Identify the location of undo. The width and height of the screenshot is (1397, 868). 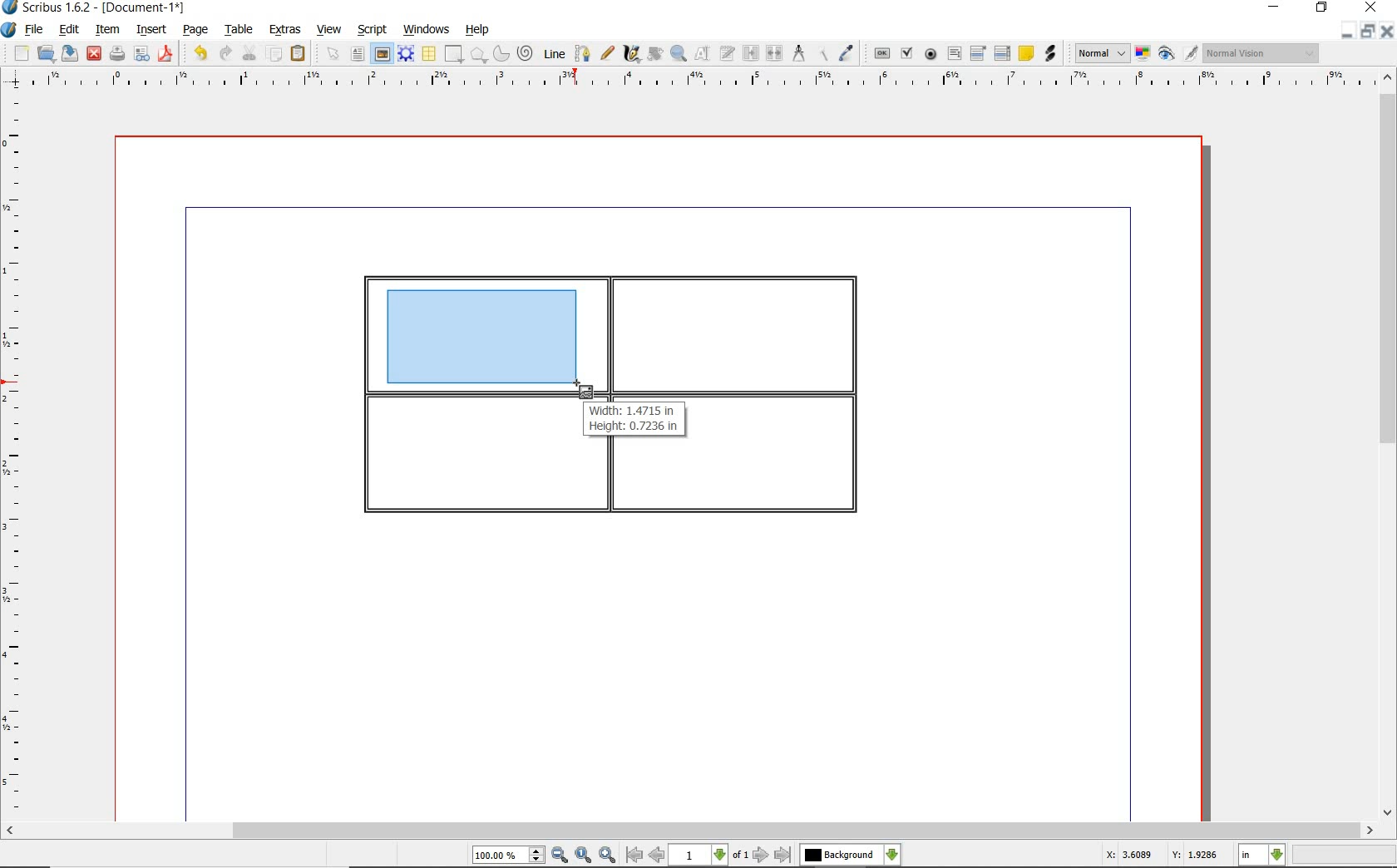
(200, 53).